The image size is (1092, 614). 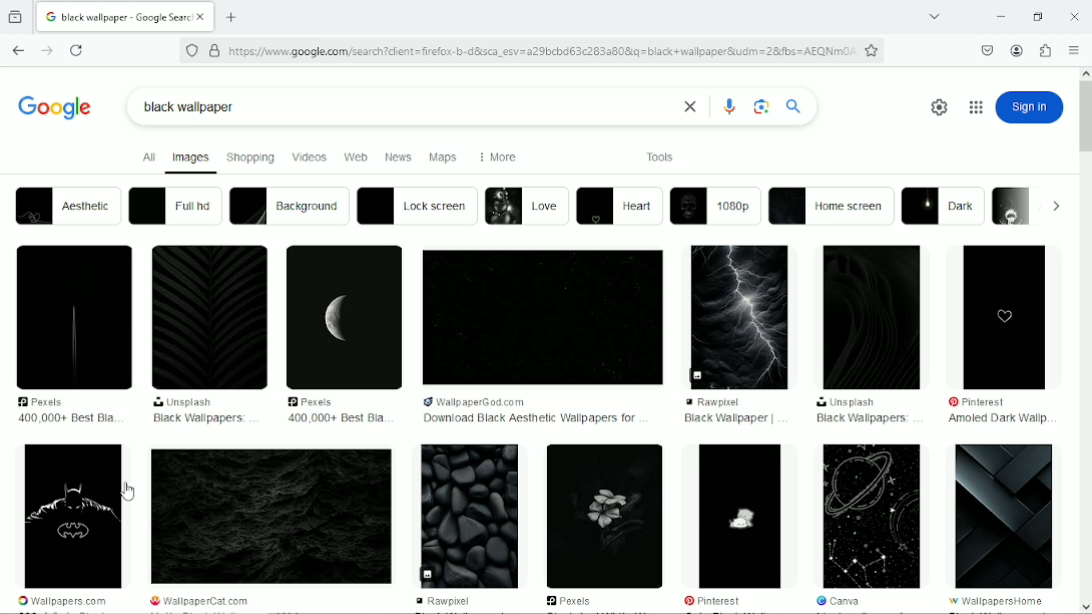 What do you see at coordinates (838, 602) in the screenshot?
I see `canva` at bounding box center [838, 602].